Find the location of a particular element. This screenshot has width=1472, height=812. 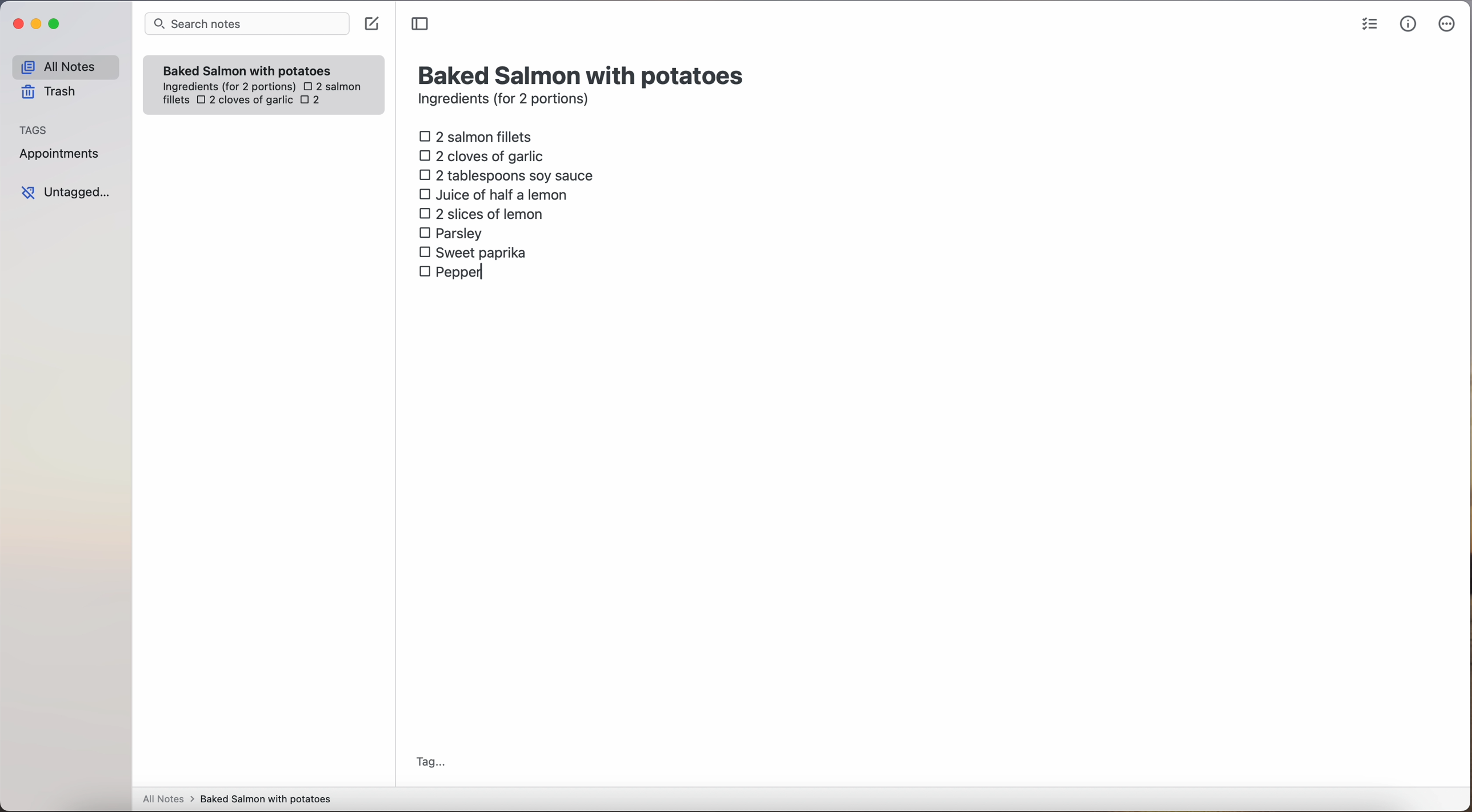

parsley is located at coordinates (451, 232).